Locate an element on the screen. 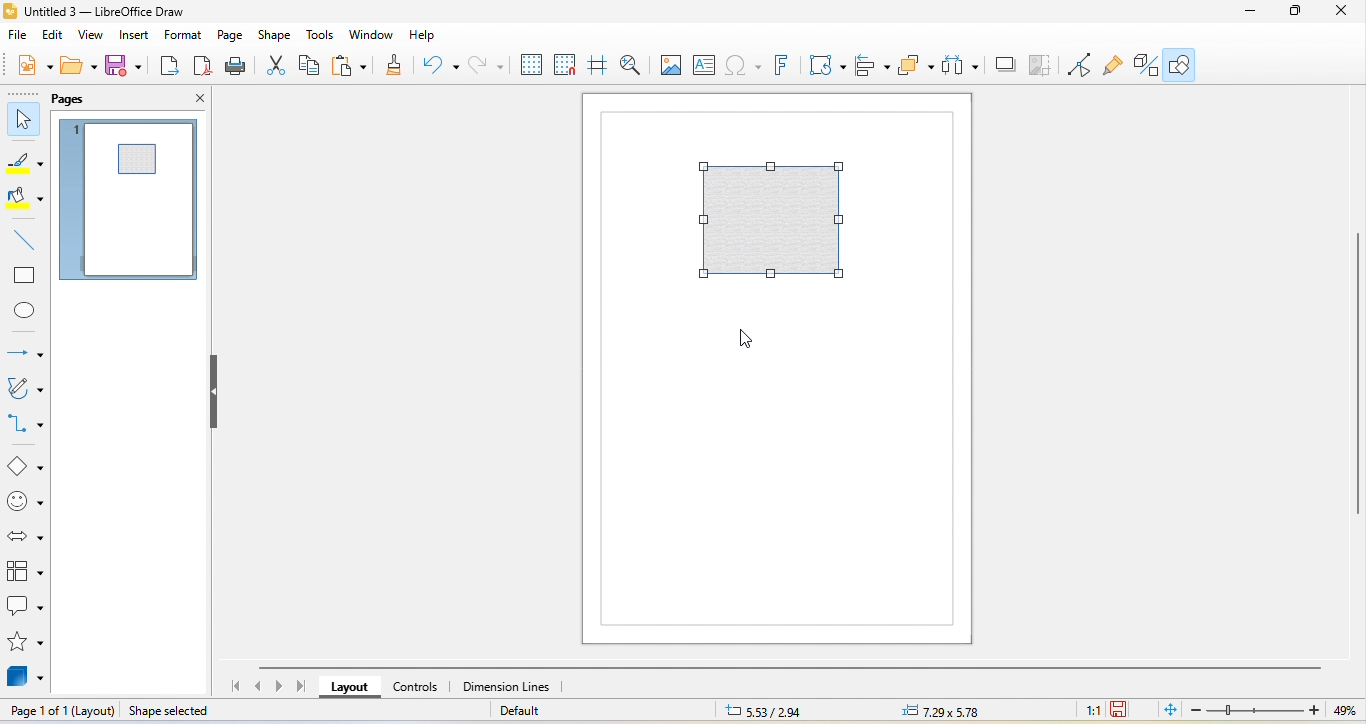 Image resolution: width=1366 pixels, height=724 pixels. ellipse is located at coordinates (26, 312).